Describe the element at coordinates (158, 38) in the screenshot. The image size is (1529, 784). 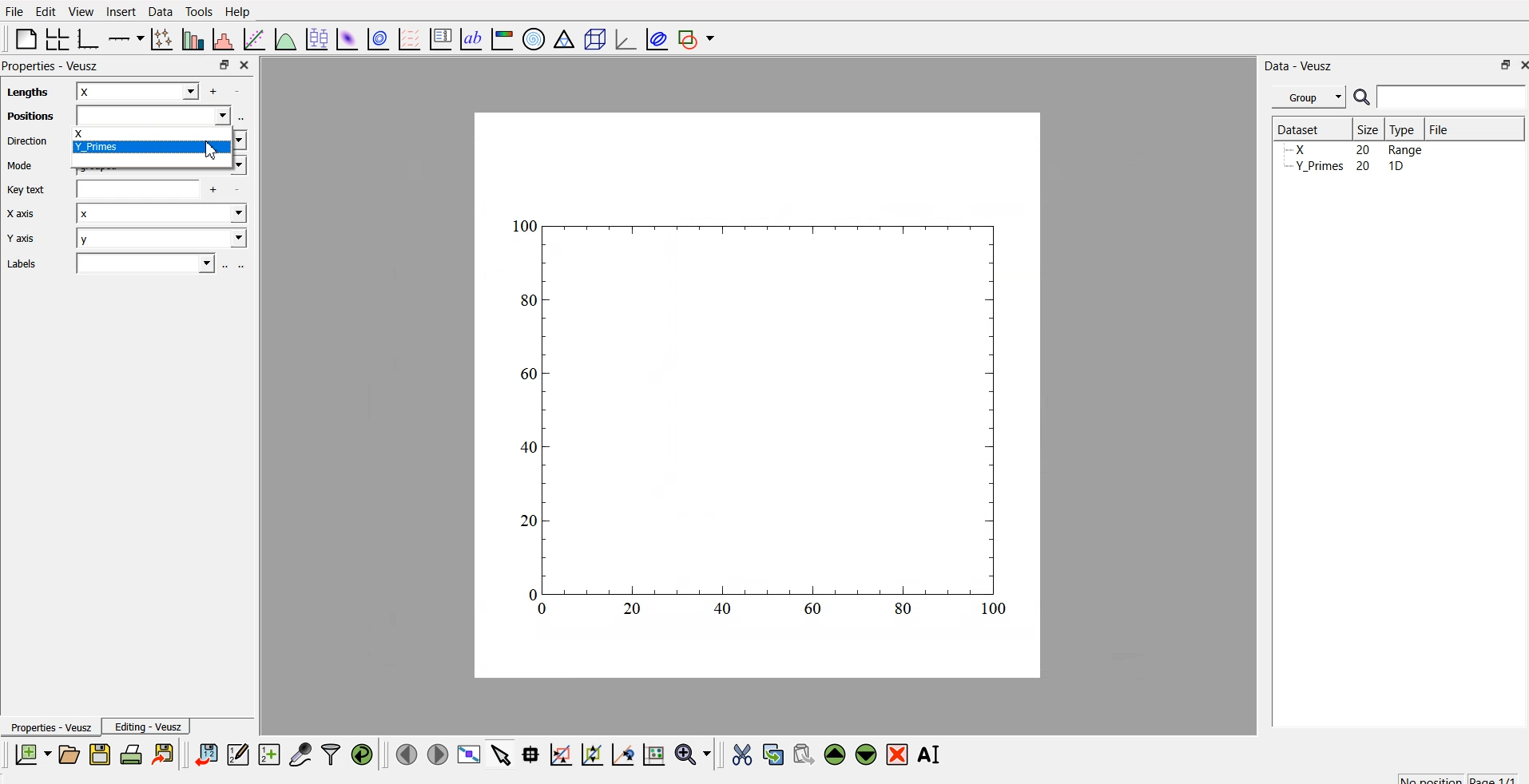
I see `plot points` at that location.